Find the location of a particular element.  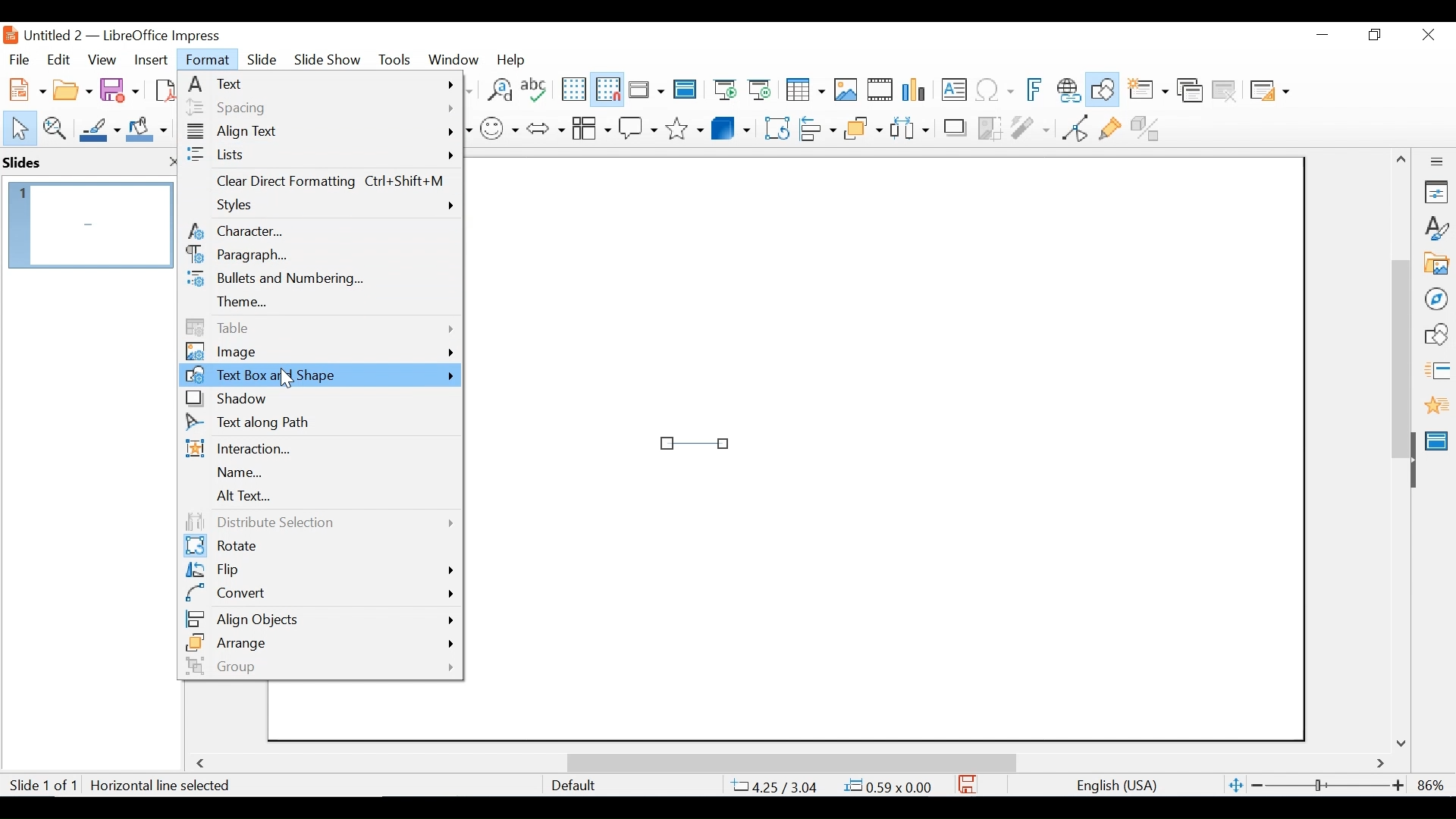

Block Arrows is located at coordinates (544, 127).